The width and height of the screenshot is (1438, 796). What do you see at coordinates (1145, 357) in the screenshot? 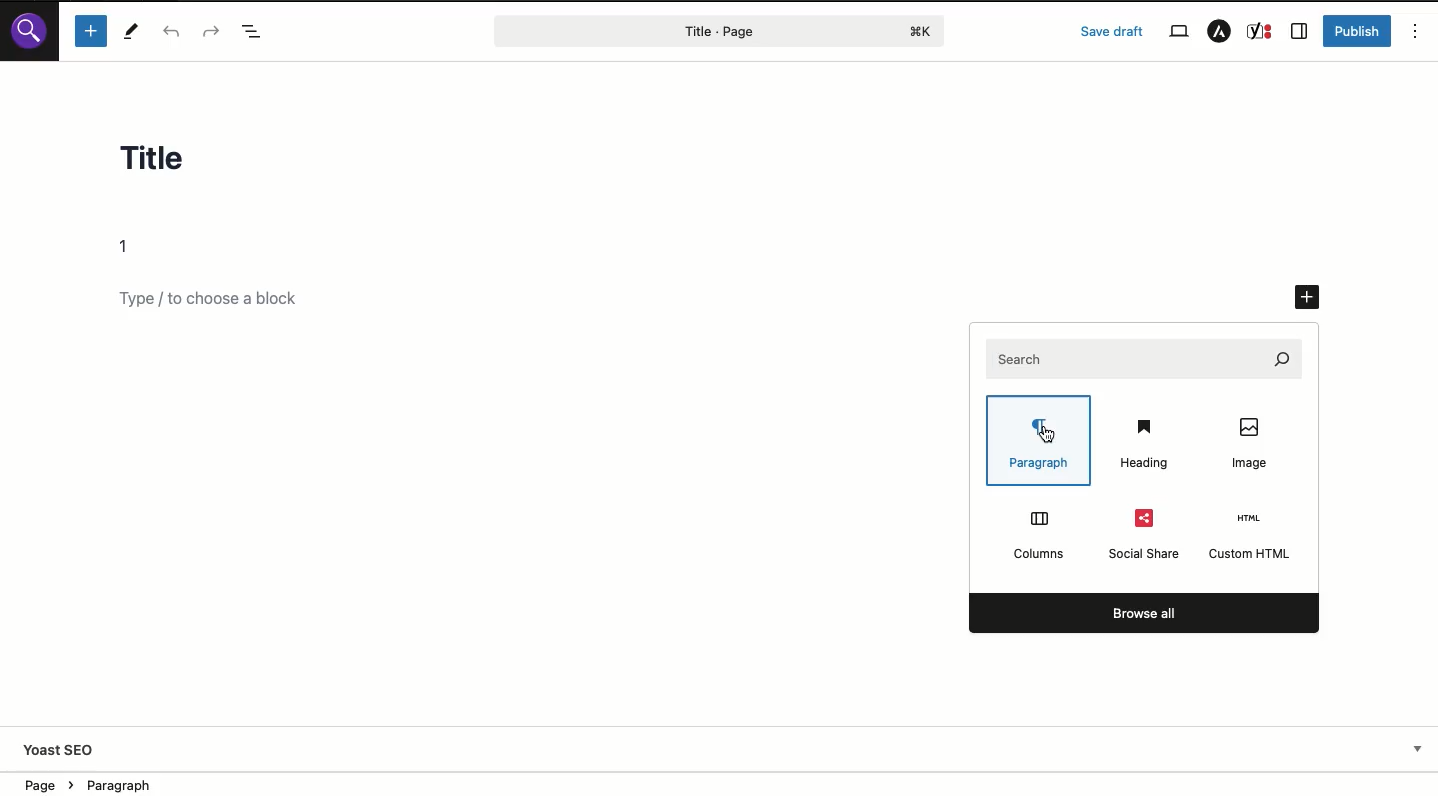
I see `Search` at bounding box center [1145, 357].